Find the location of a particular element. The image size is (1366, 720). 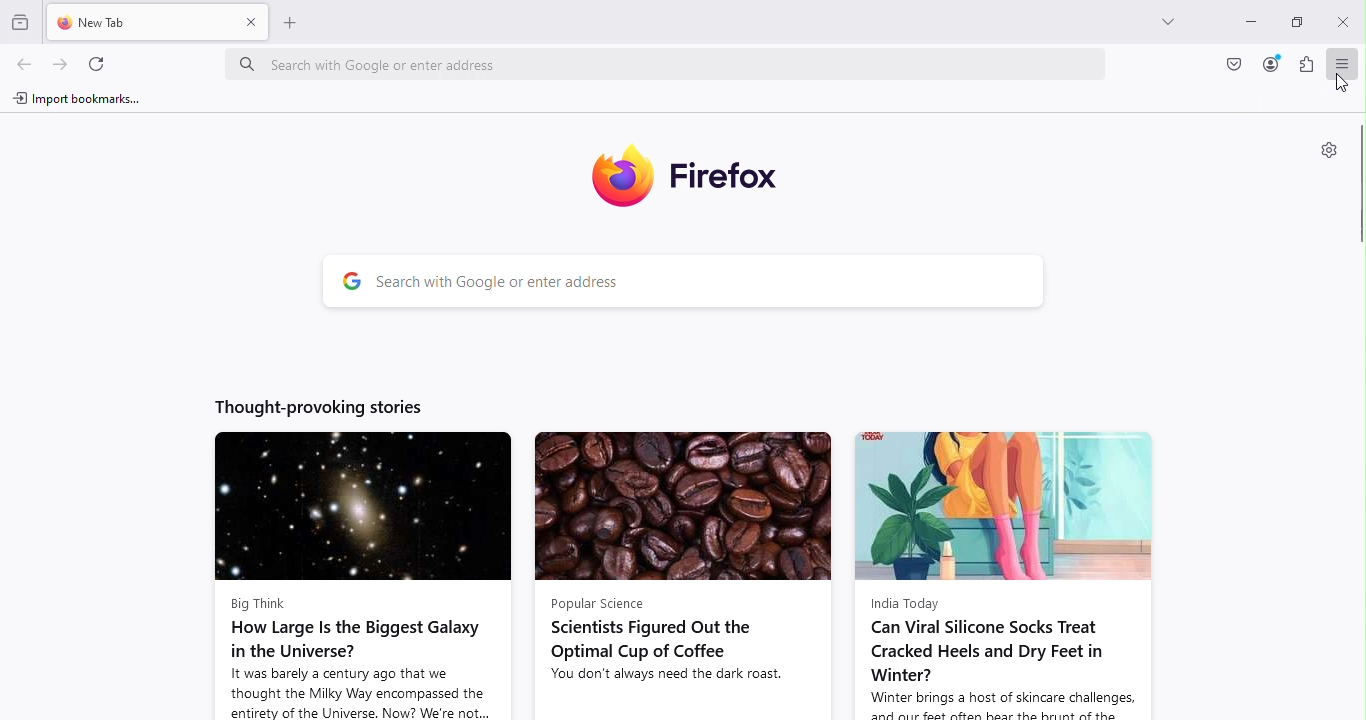

Go forward one page is located at coordinates (63, 63).